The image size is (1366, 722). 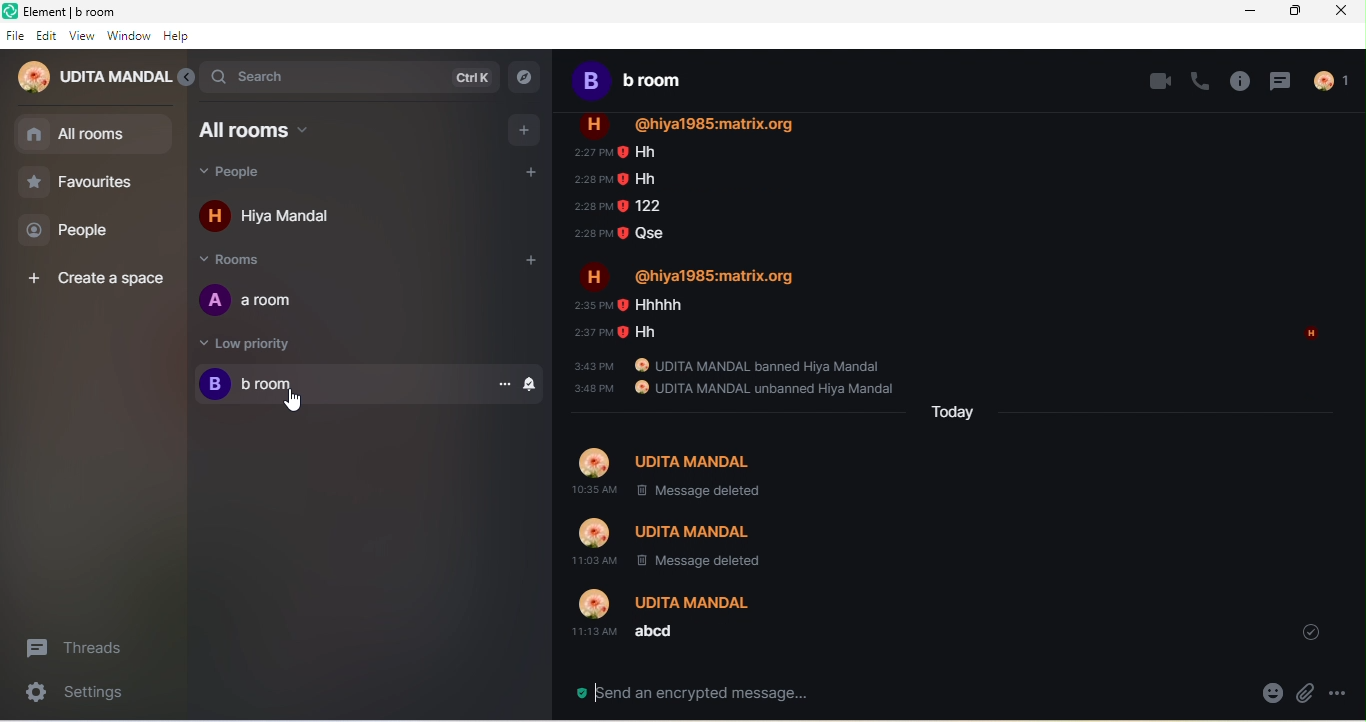 What do you see at coordinates (530, 172) in the screenshot?
I see `add people` at bounding box center [530, 172].